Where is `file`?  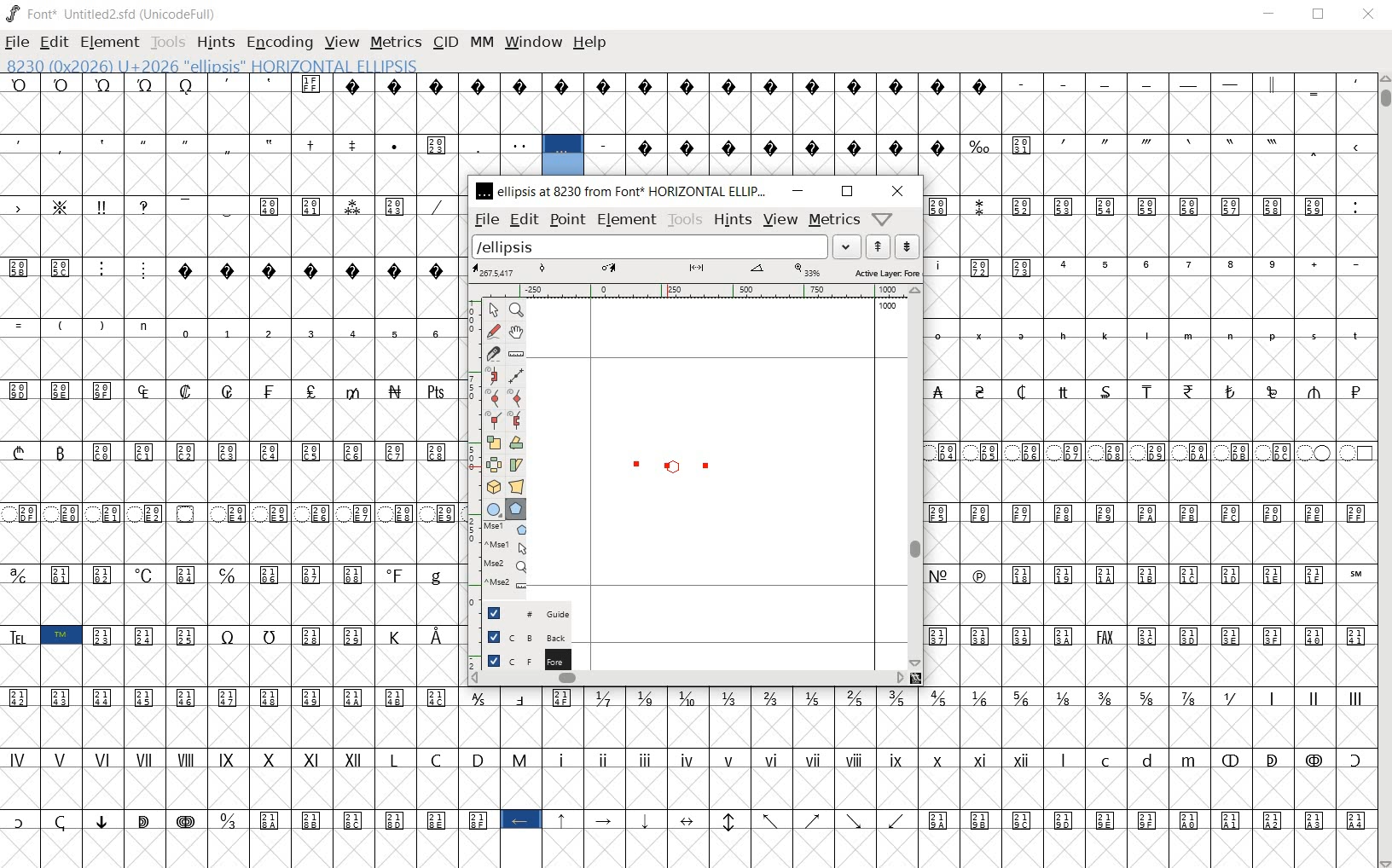
file is located at coordinates (485, 219).